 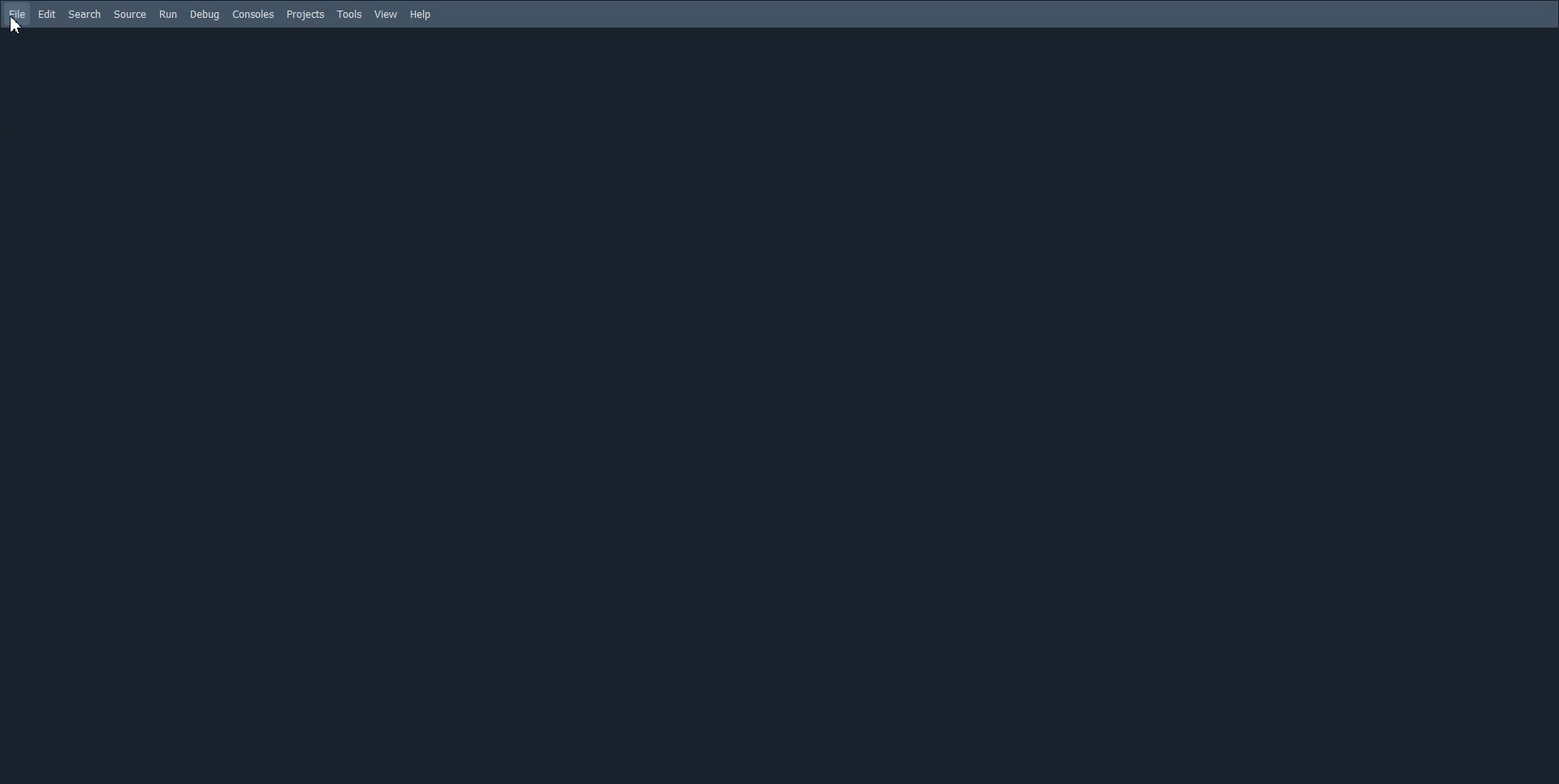 What do you see at coordinates (167, 14) in the screenshot?
I see `Run` at bounding box center [167, 14].